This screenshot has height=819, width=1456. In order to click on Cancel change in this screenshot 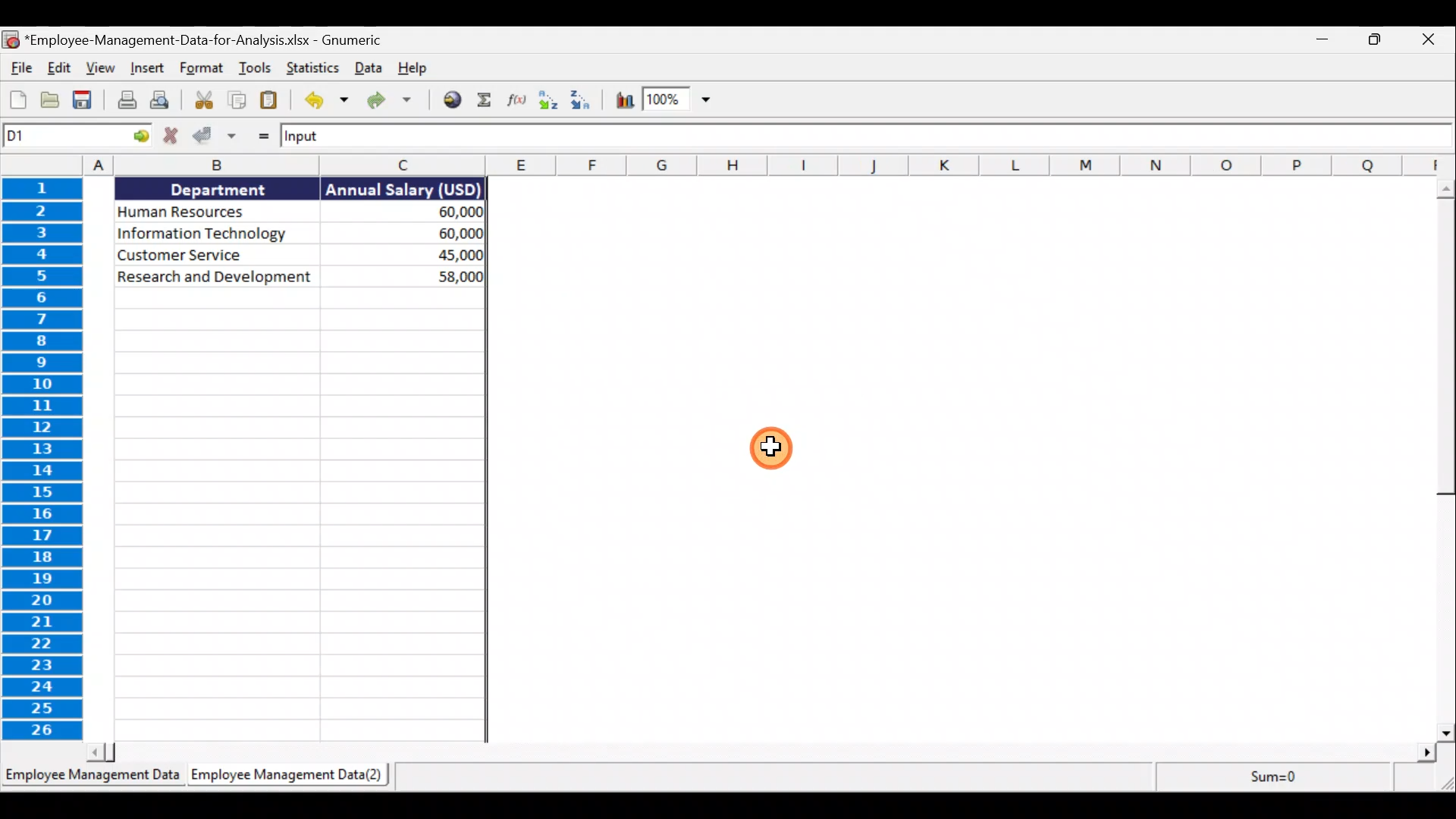, I will do `click(174, 134)`.